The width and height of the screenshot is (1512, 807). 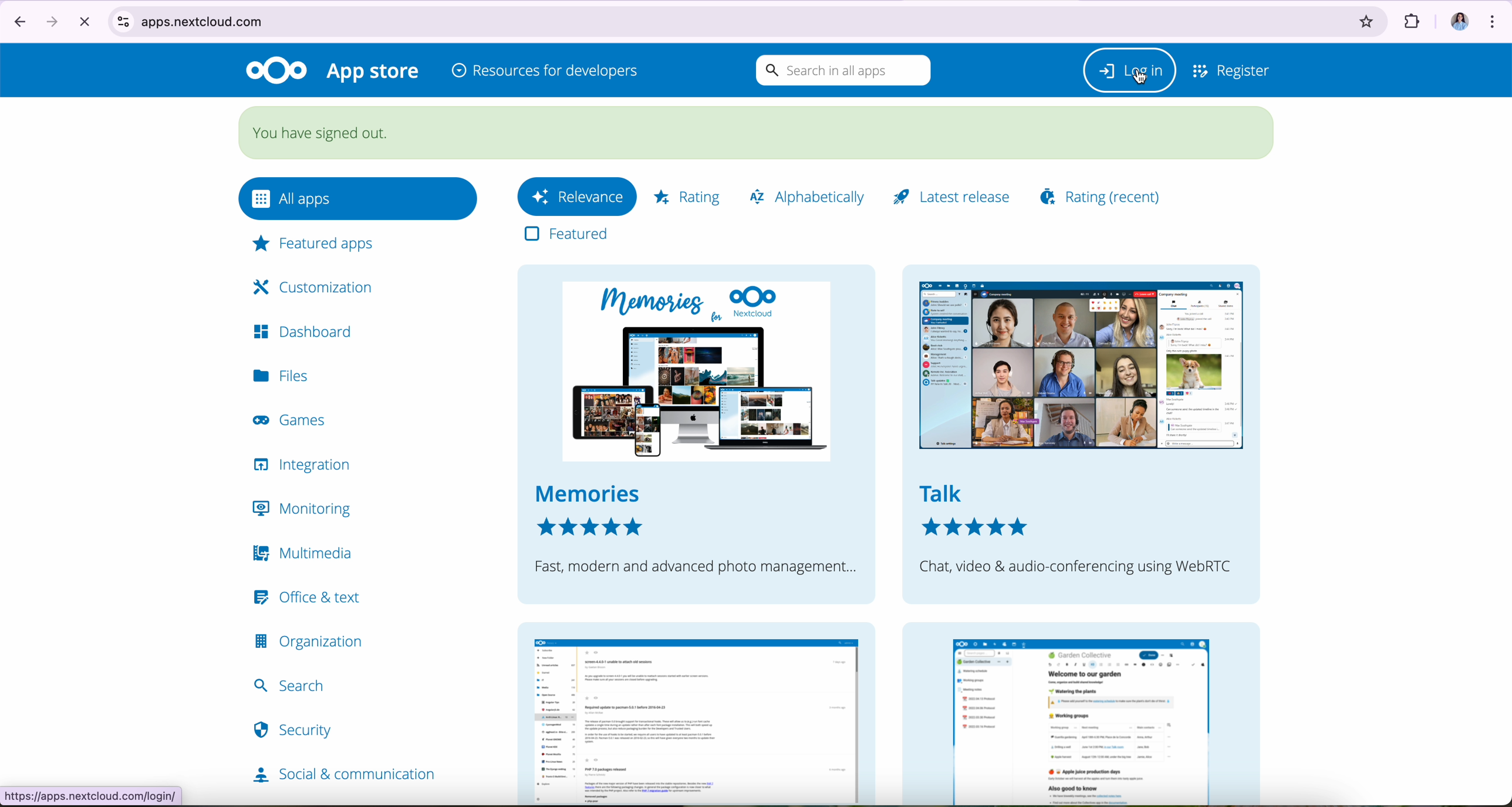 I want to click on apps.nextcloud.com, so click(x=716, y=19).